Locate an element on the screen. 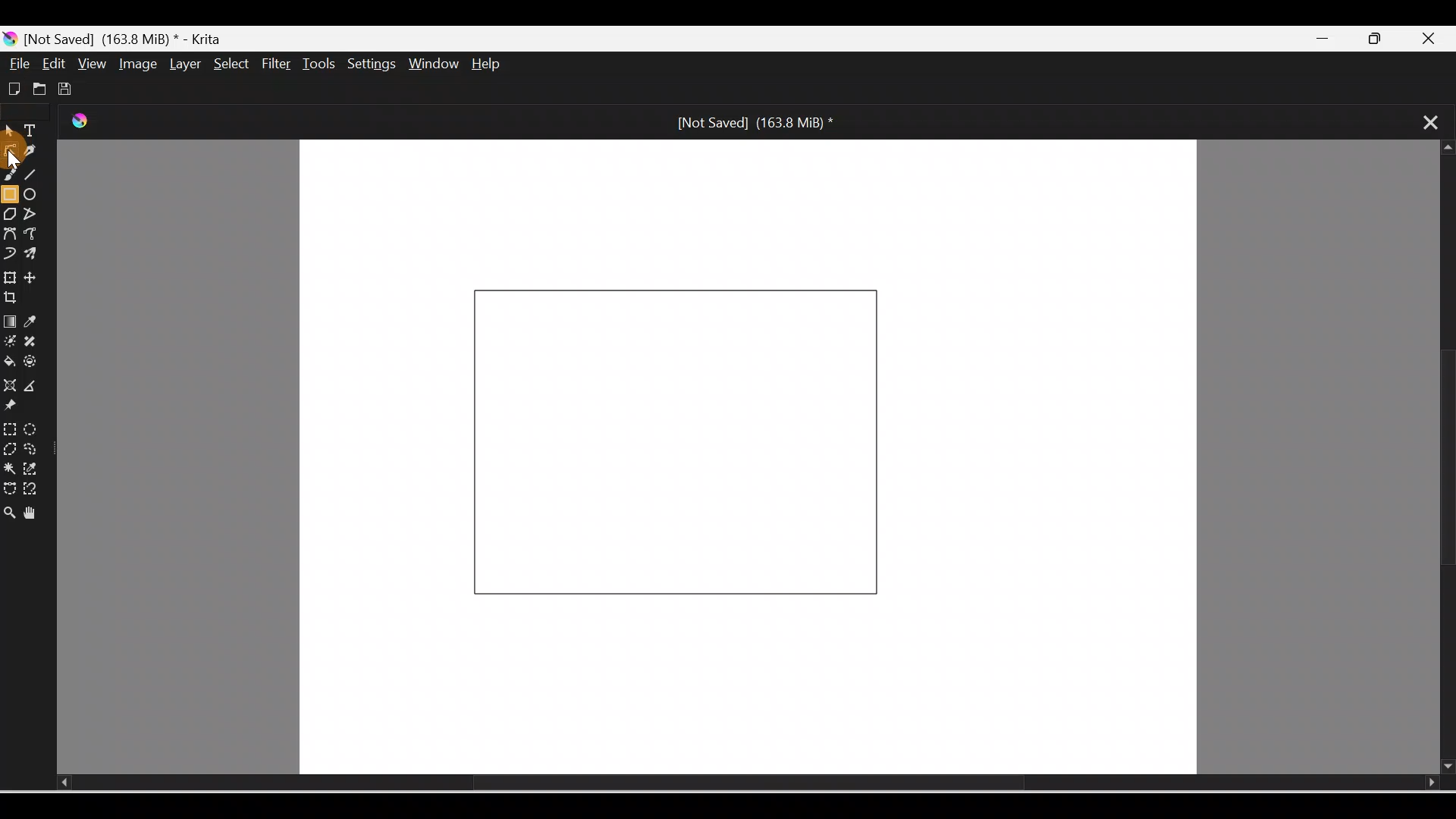 Image resolution: width=1456 pixels, height=819 pixels. Fill a contiguous area of color with color is located at coordinates (10, 362).